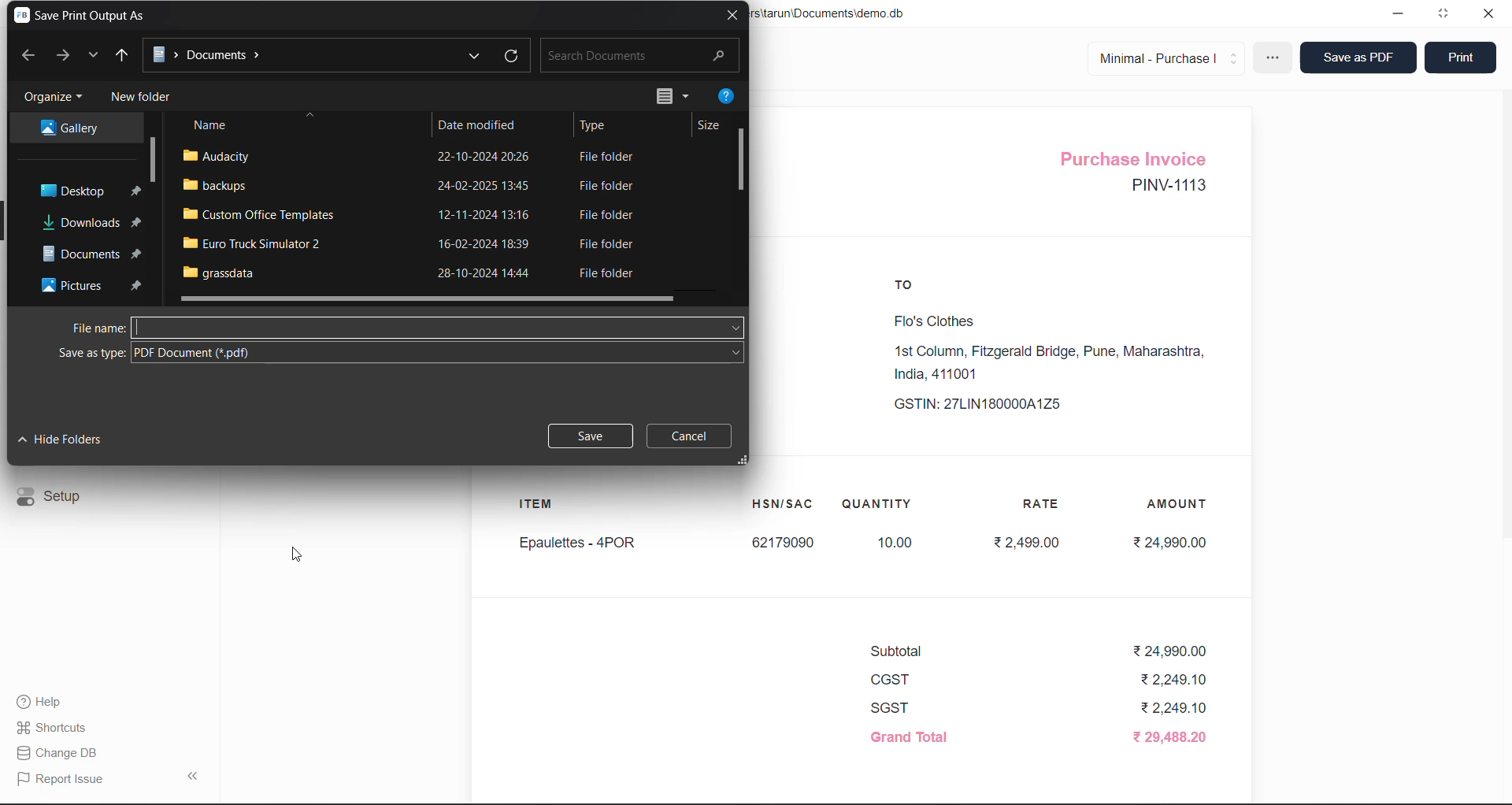 Image resolution: width=1512 pixels, height=805 pixels. What do you see at coordinates (1031, 543) in the screenshot?
I see `₹2,499.00` at bounding box center [1031, 543].